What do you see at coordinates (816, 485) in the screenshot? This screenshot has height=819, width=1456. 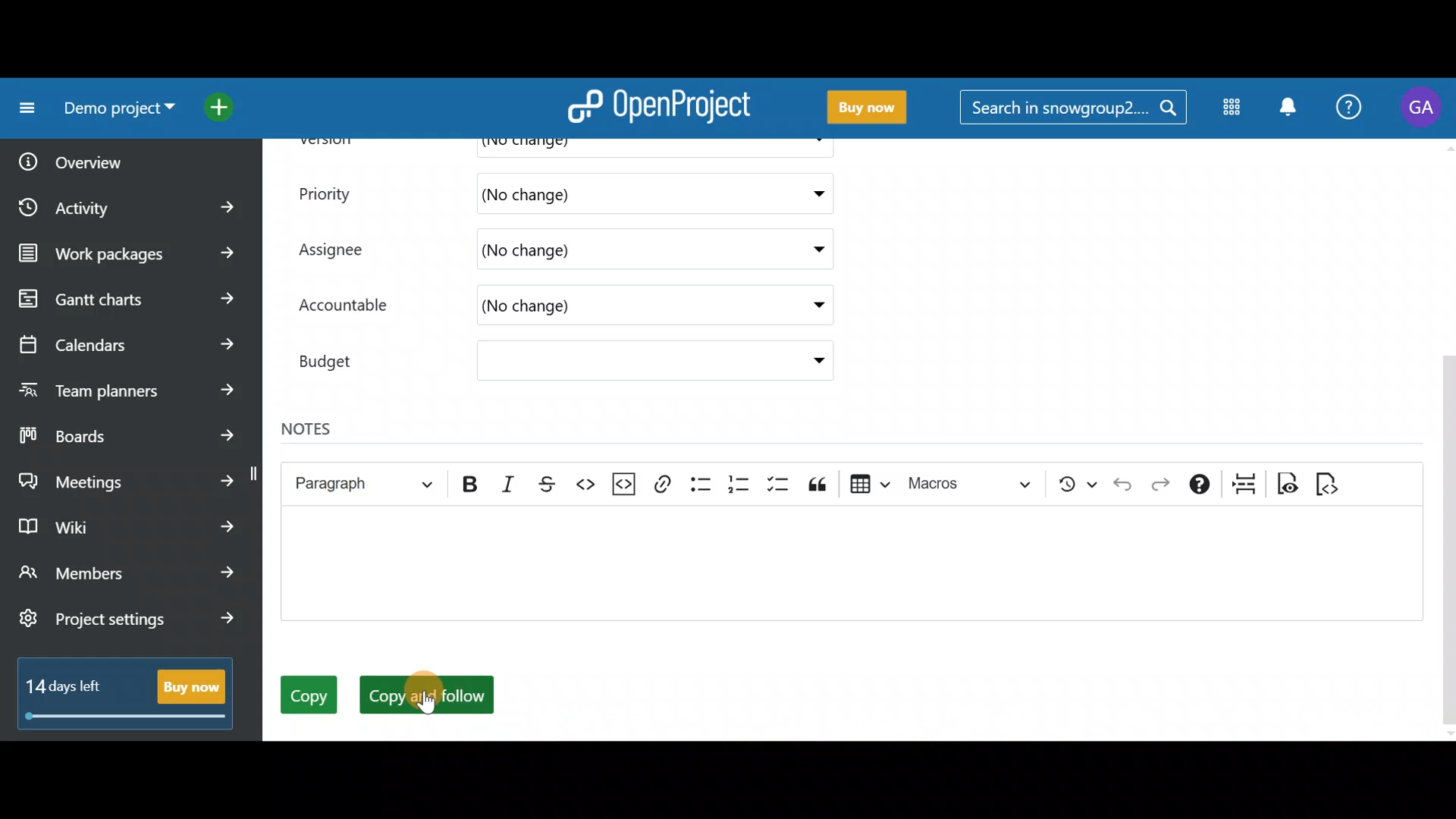 I see `Block quote` at bounding box center [816, 485].